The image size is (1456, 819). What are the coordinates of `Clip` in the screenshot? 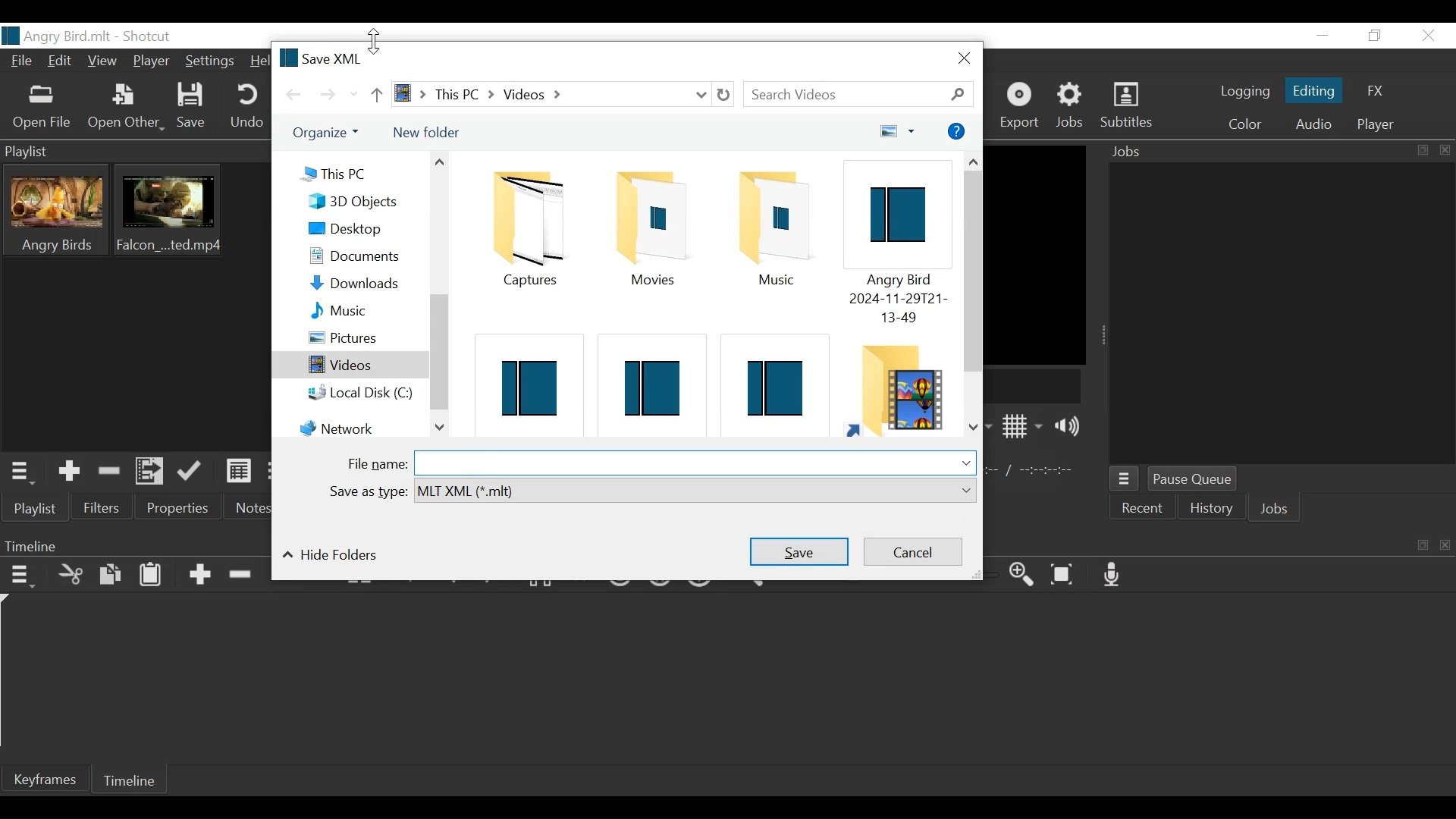 It's located at (52, 209).